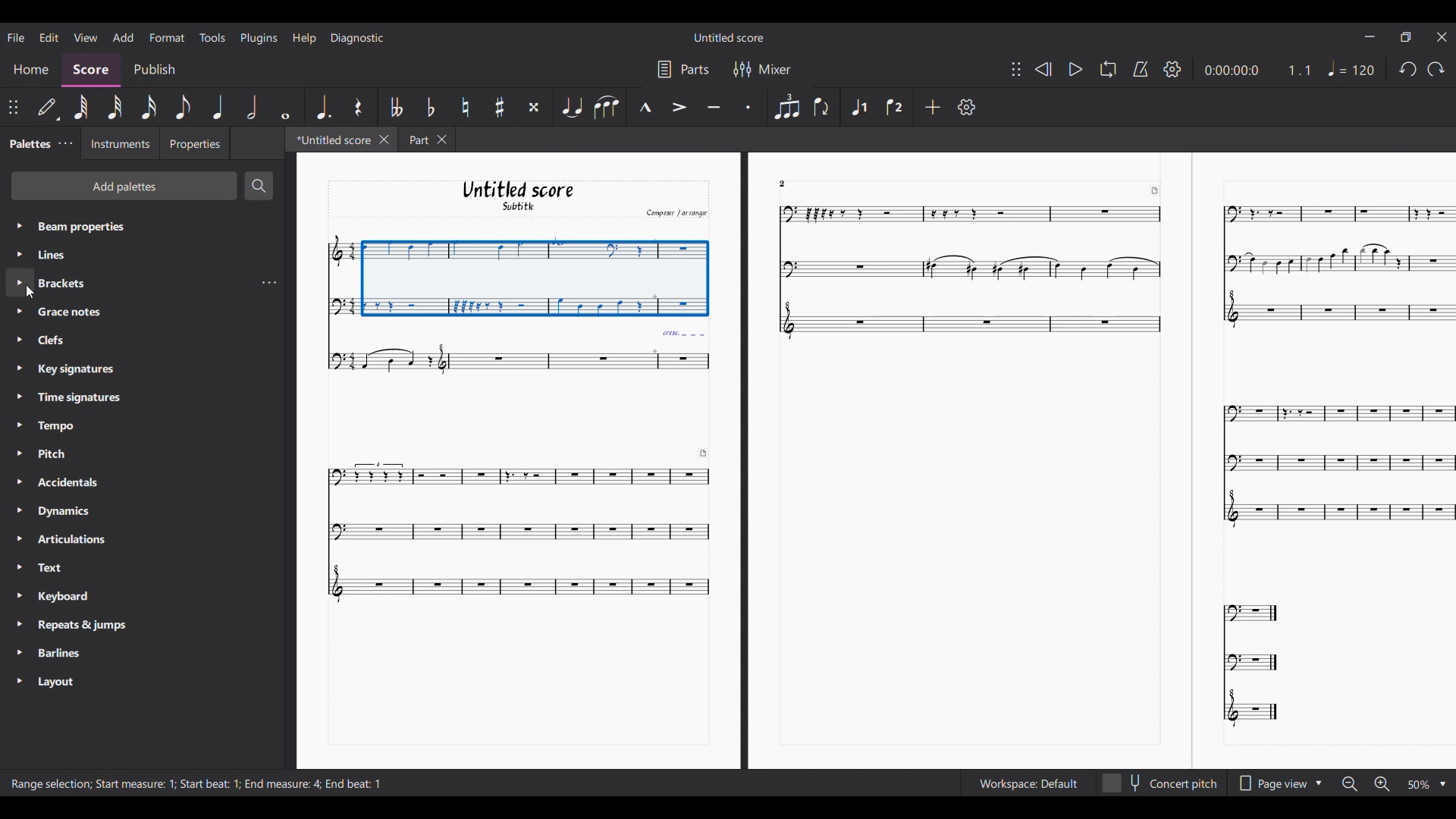 The height and width of the screenshot is (819, 1456). Describe the element at coordinates (973, 215) in the screenshot. I see `` at that location.